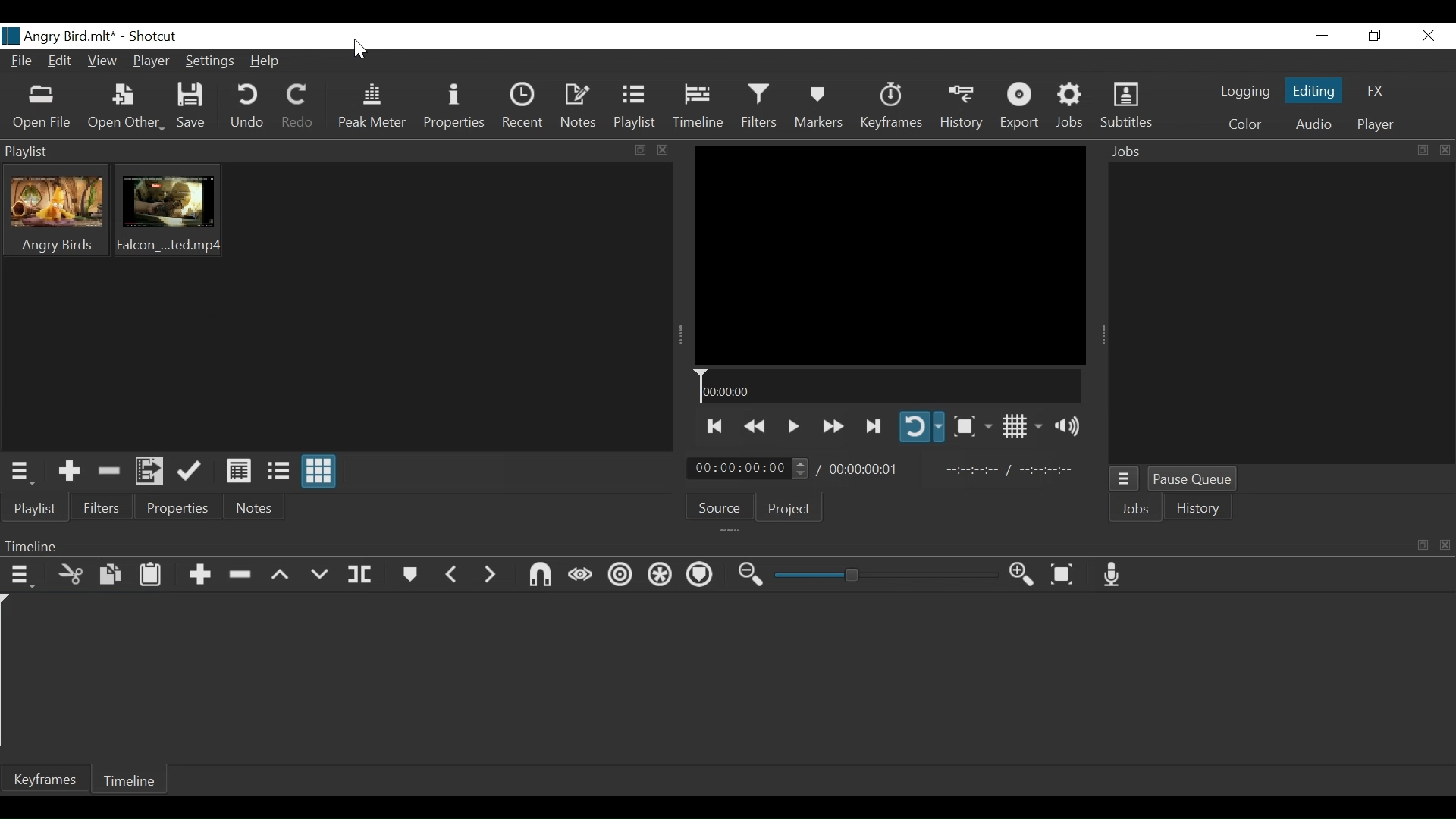  Describe the element at coordinates (756, 425) in the screenshot. I see `play backwards quickly` at that location.